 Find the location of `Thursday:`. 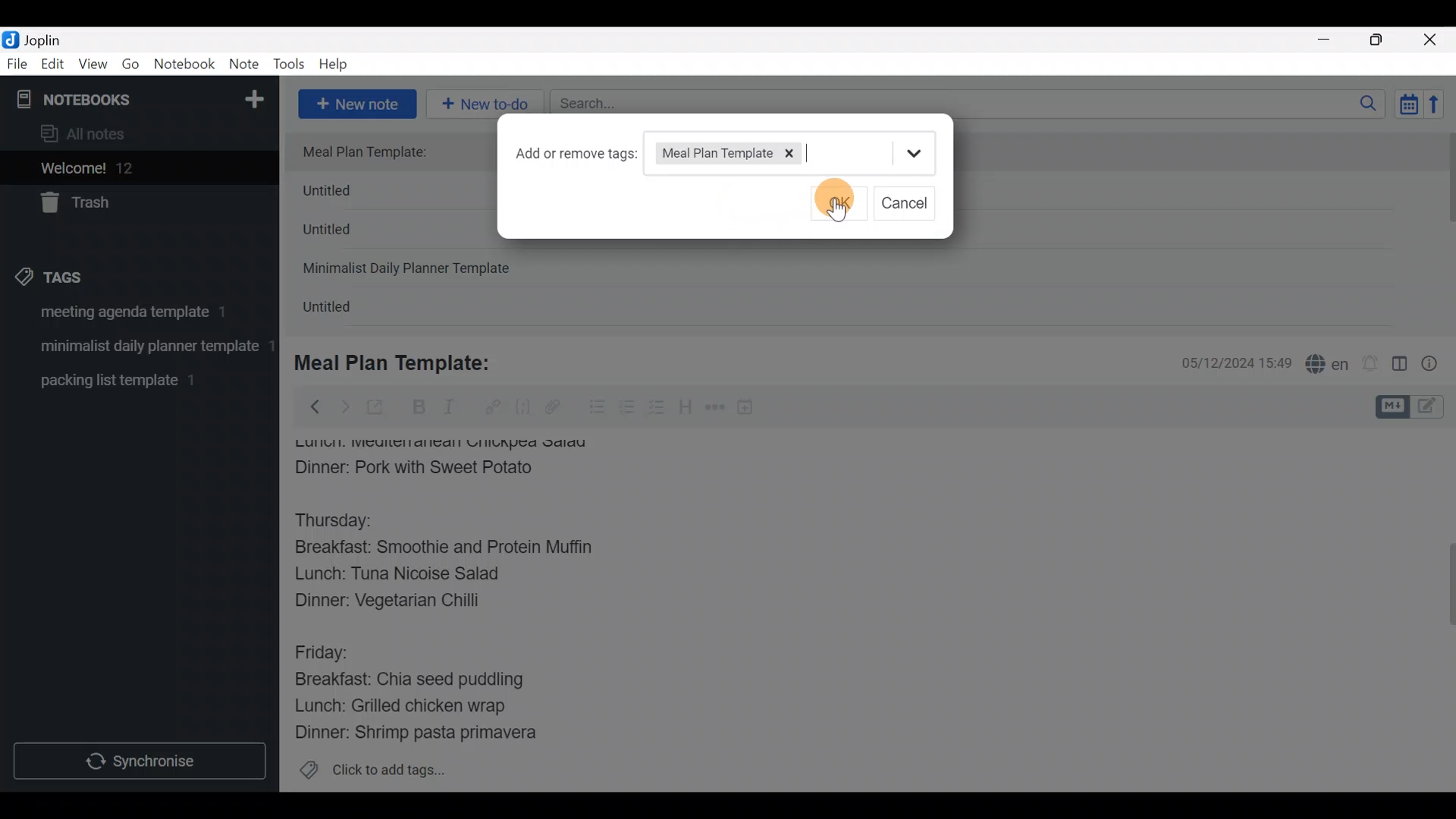

Thursday: is located at coordinates (344, 521).